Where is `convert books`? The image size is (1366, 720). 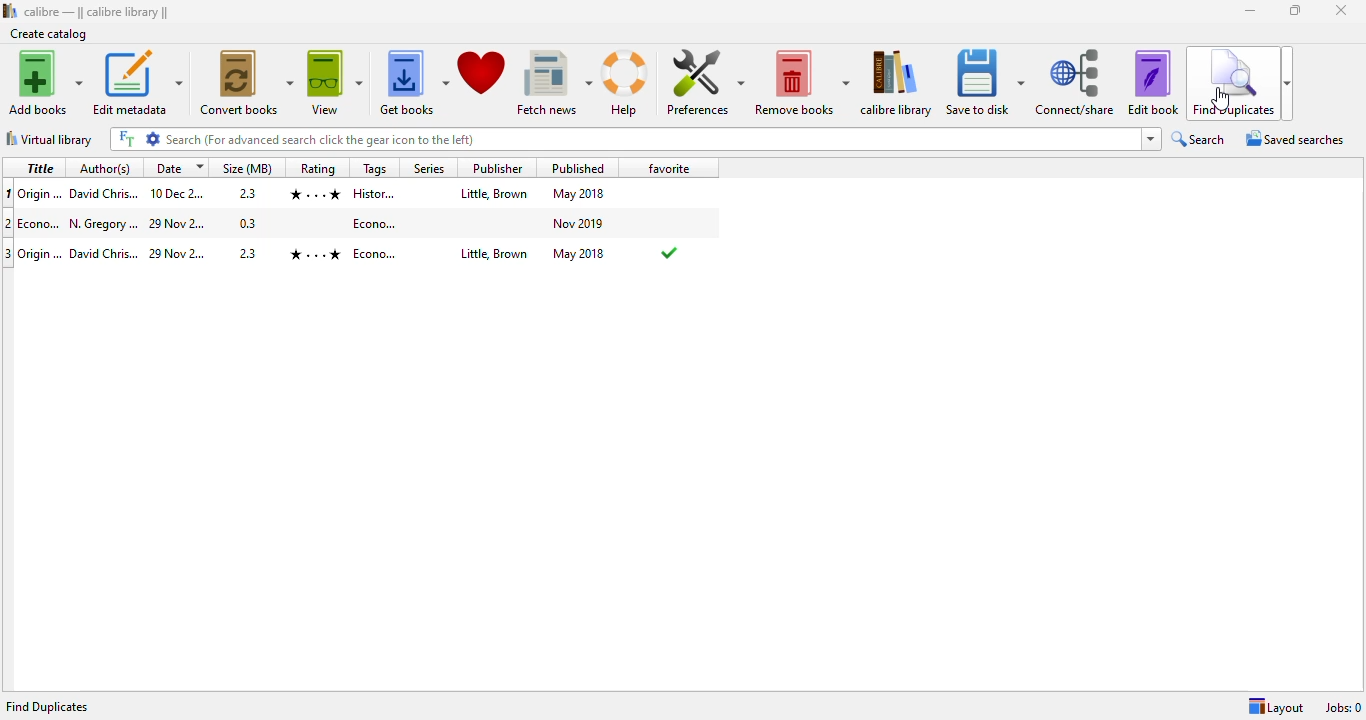 convert books is located at coordinates (244, 83).